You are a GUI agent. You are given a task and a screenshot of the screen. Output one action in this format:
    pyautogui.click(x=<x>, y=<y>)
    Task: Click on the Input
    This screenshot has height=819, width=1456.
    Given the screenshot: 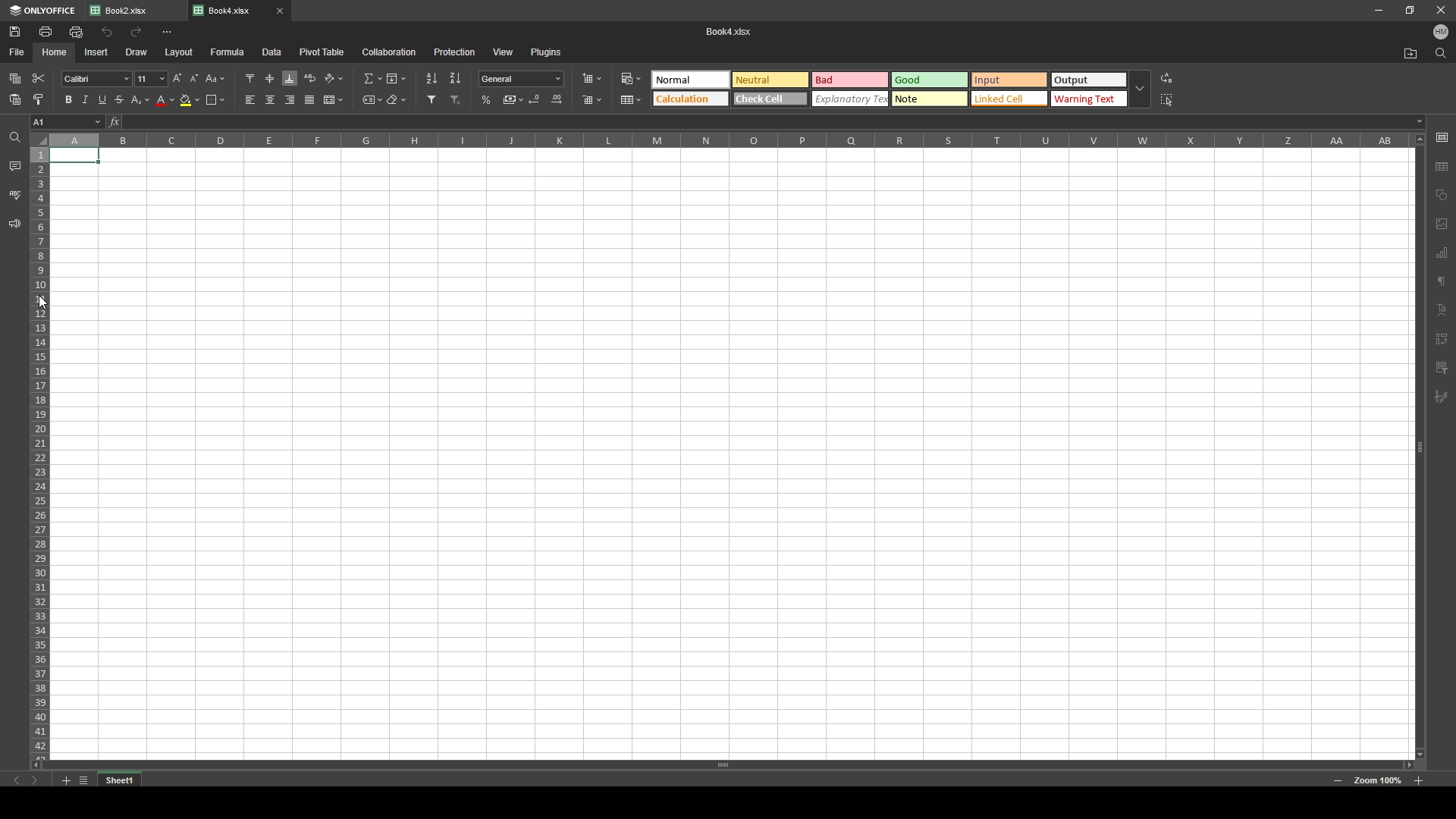 What is the action you would take?
    pyautogui.click(x=1009, y=80)
    